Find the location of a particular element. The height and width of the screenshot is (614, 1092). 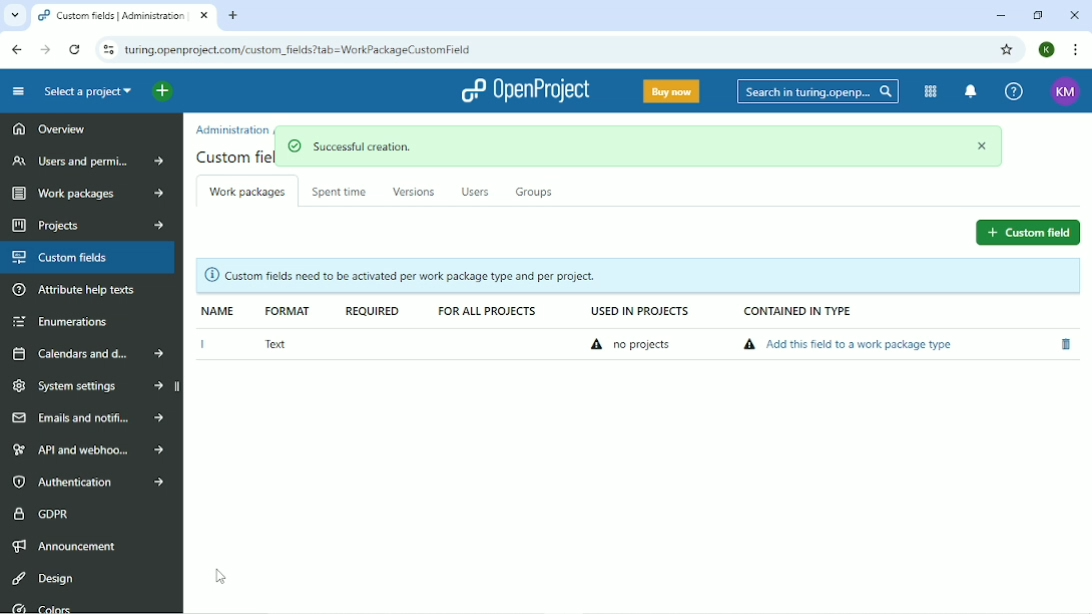

Design is located at coordinates (43, 577).